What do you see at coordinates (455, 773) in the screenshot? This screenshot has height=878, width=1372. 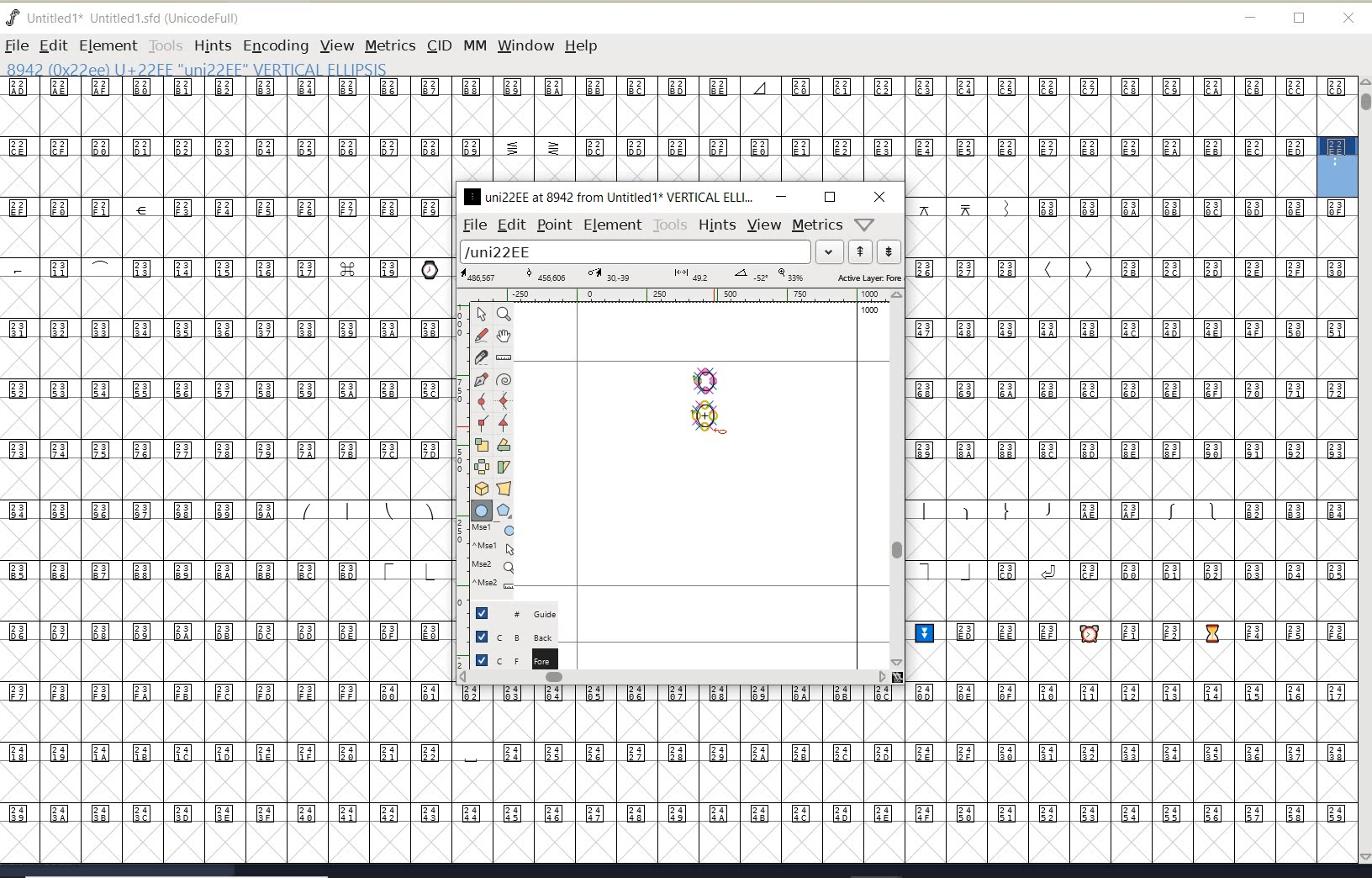 I see `GLYPHY CHARACTERS & NUMBERS` at bounding box center [455, 773].